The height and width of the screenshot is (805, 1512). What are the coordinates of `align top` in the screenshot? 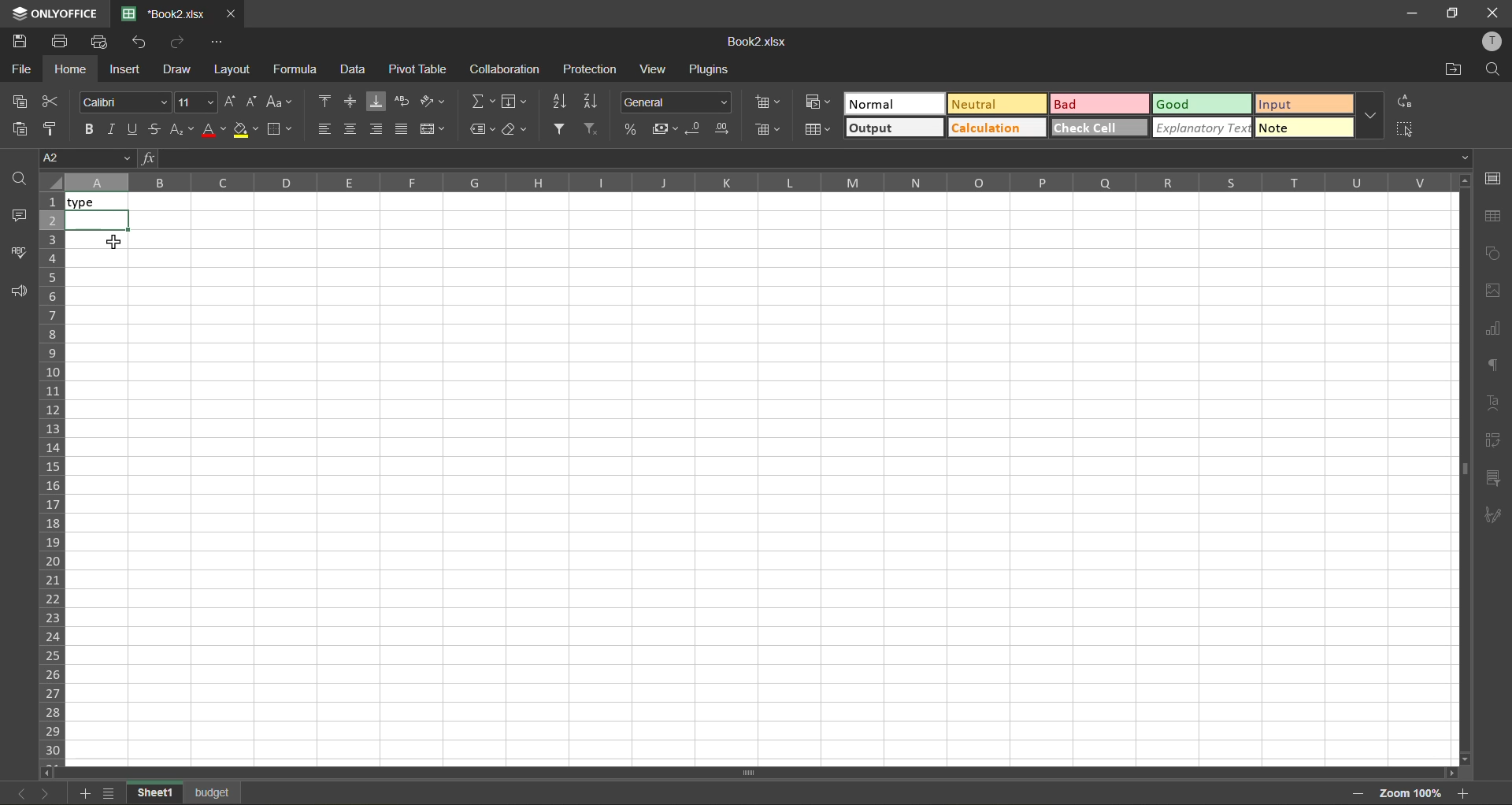 It's located at (326, 101).